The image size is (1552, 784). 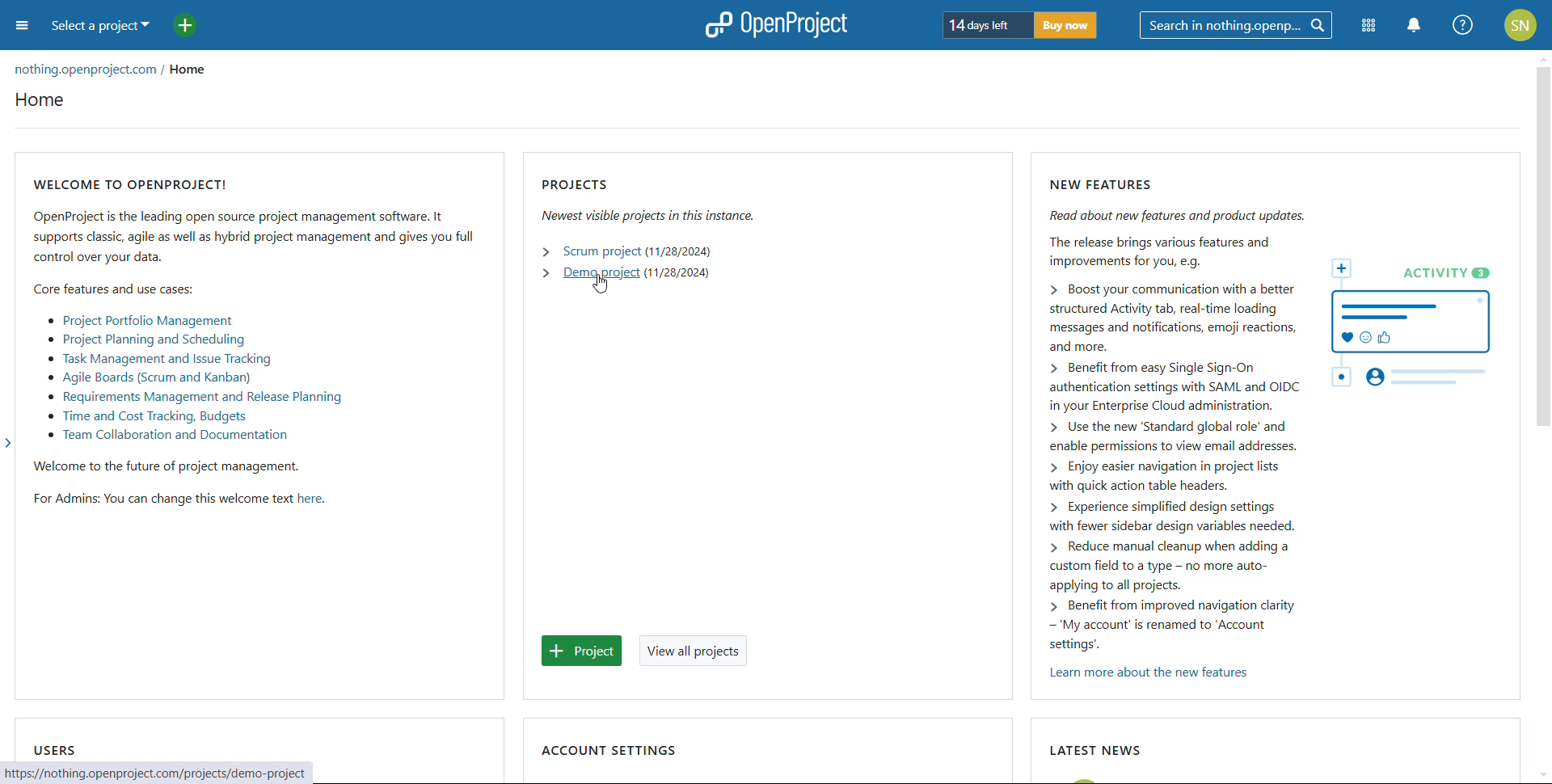 I want to click on The release brings various features and improvements for you, e.q., so click(x=1162, y=252).